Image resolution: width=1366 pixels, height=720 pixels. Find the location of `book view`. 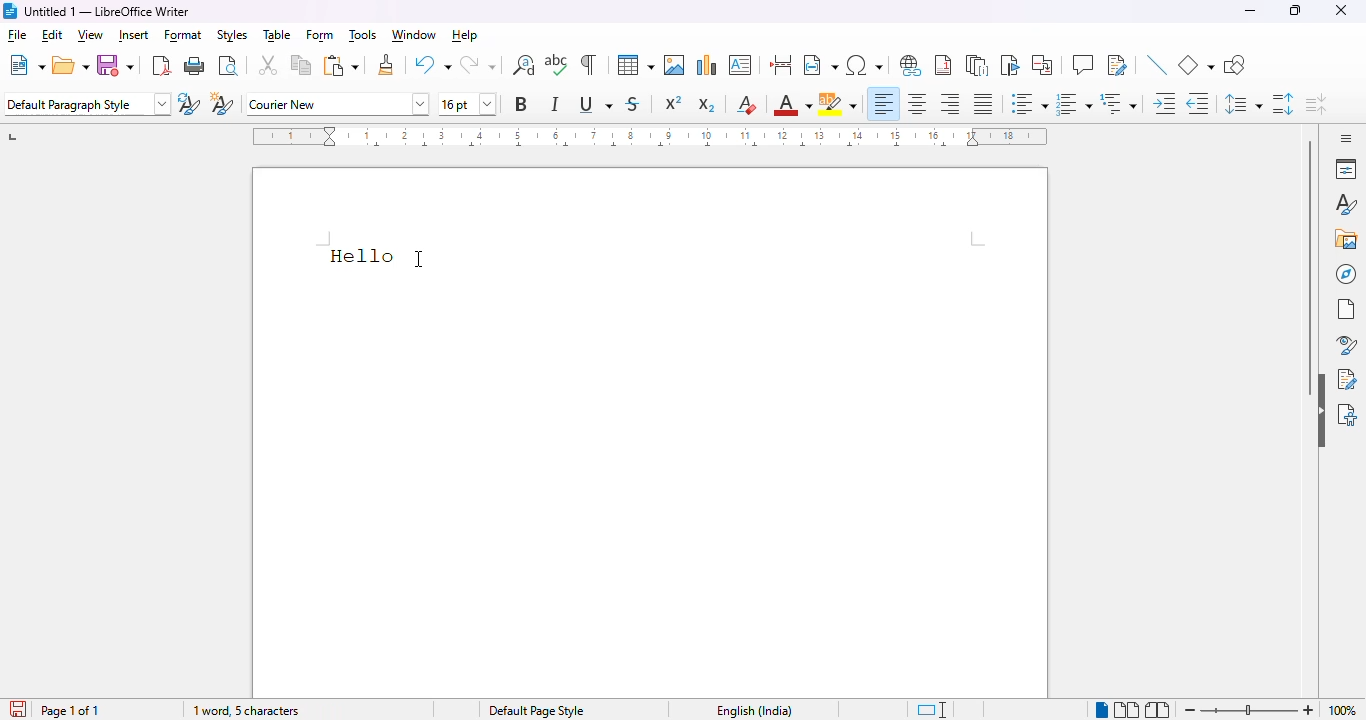

book view is located at coordinates (1159, 709).